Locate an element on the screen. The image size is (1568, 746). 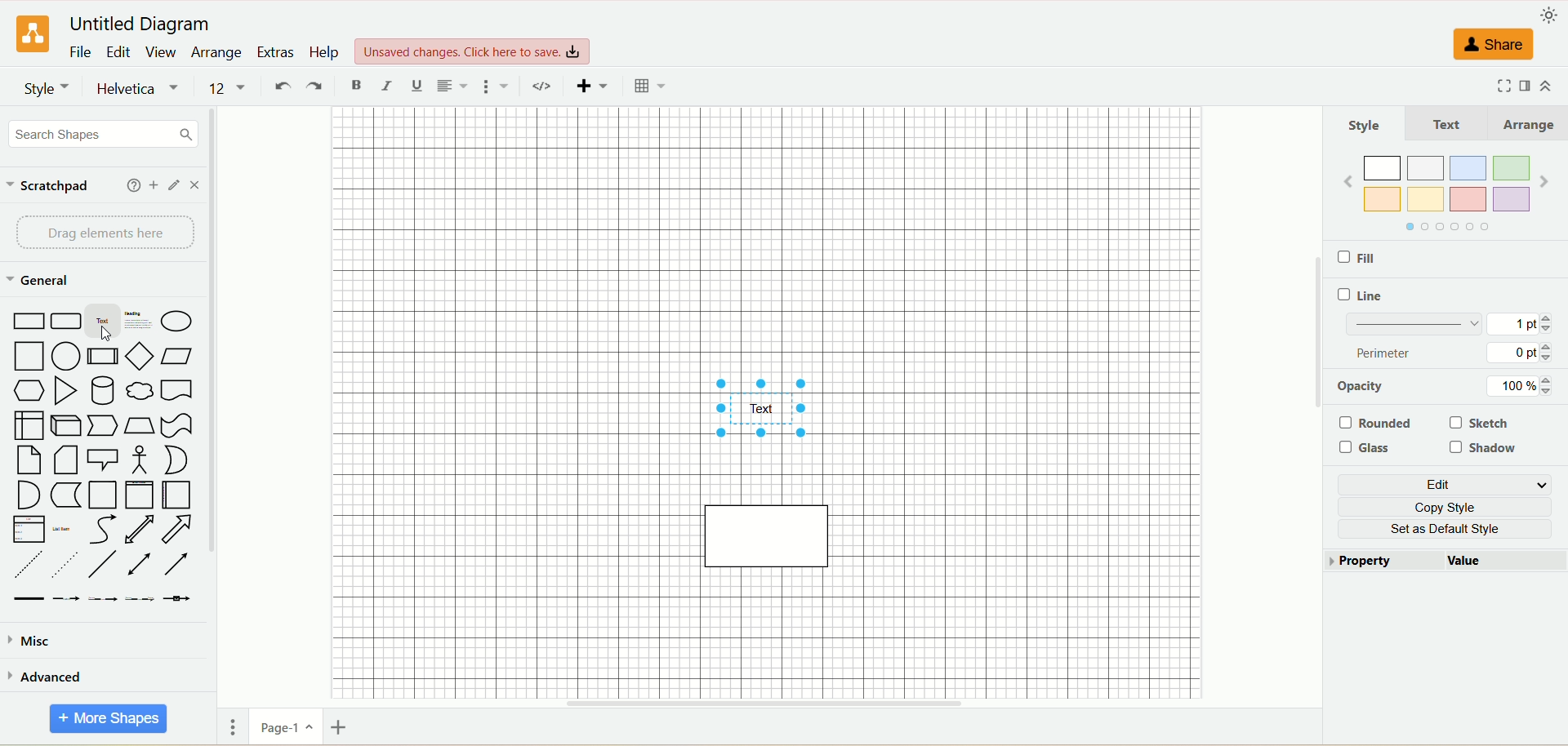
or is located at coordinates (175, 459).